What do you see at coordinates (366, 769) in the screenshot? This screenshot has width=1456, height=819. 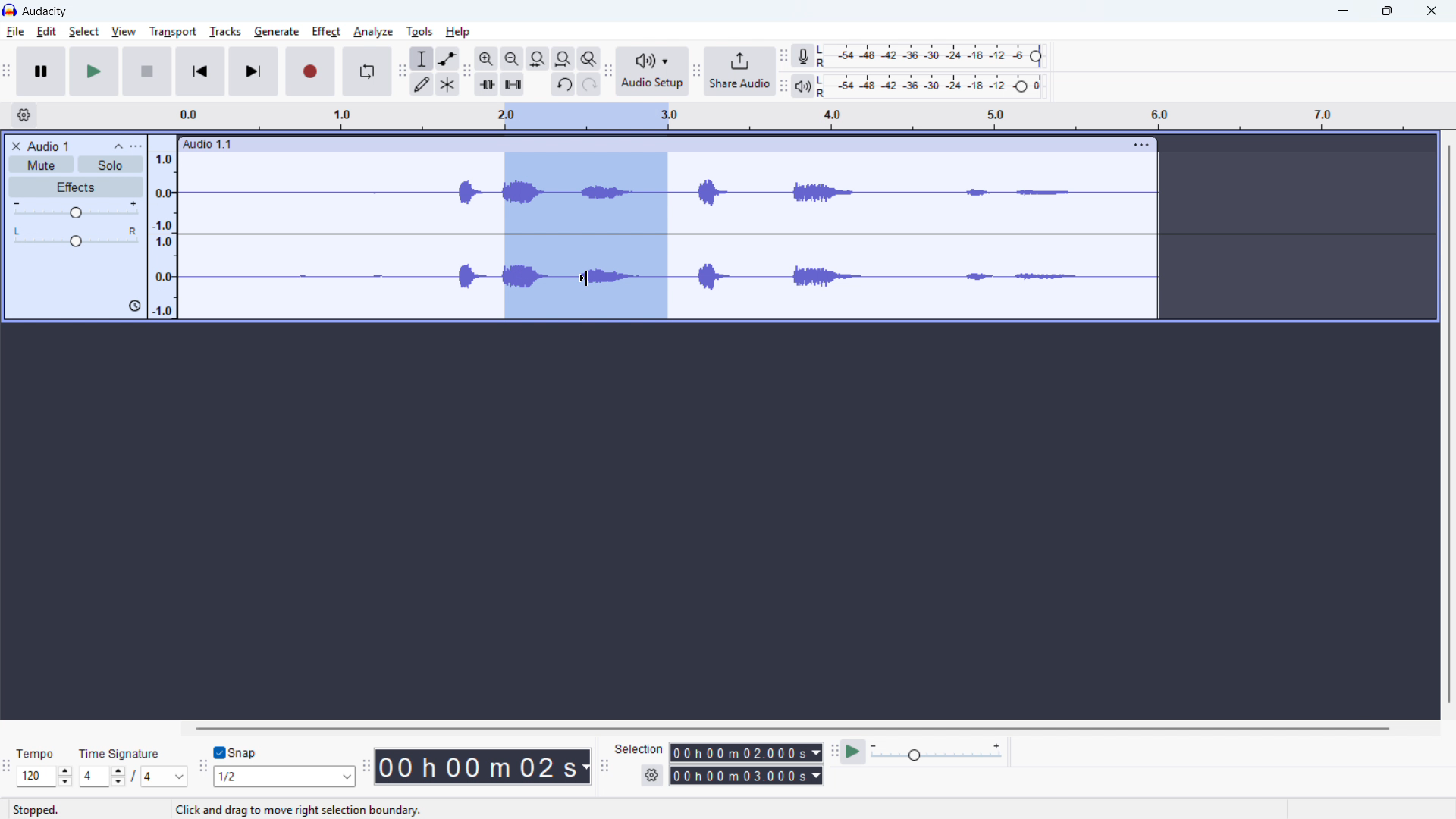 I see `Time toolbar ` at bounding box center [366, 769].